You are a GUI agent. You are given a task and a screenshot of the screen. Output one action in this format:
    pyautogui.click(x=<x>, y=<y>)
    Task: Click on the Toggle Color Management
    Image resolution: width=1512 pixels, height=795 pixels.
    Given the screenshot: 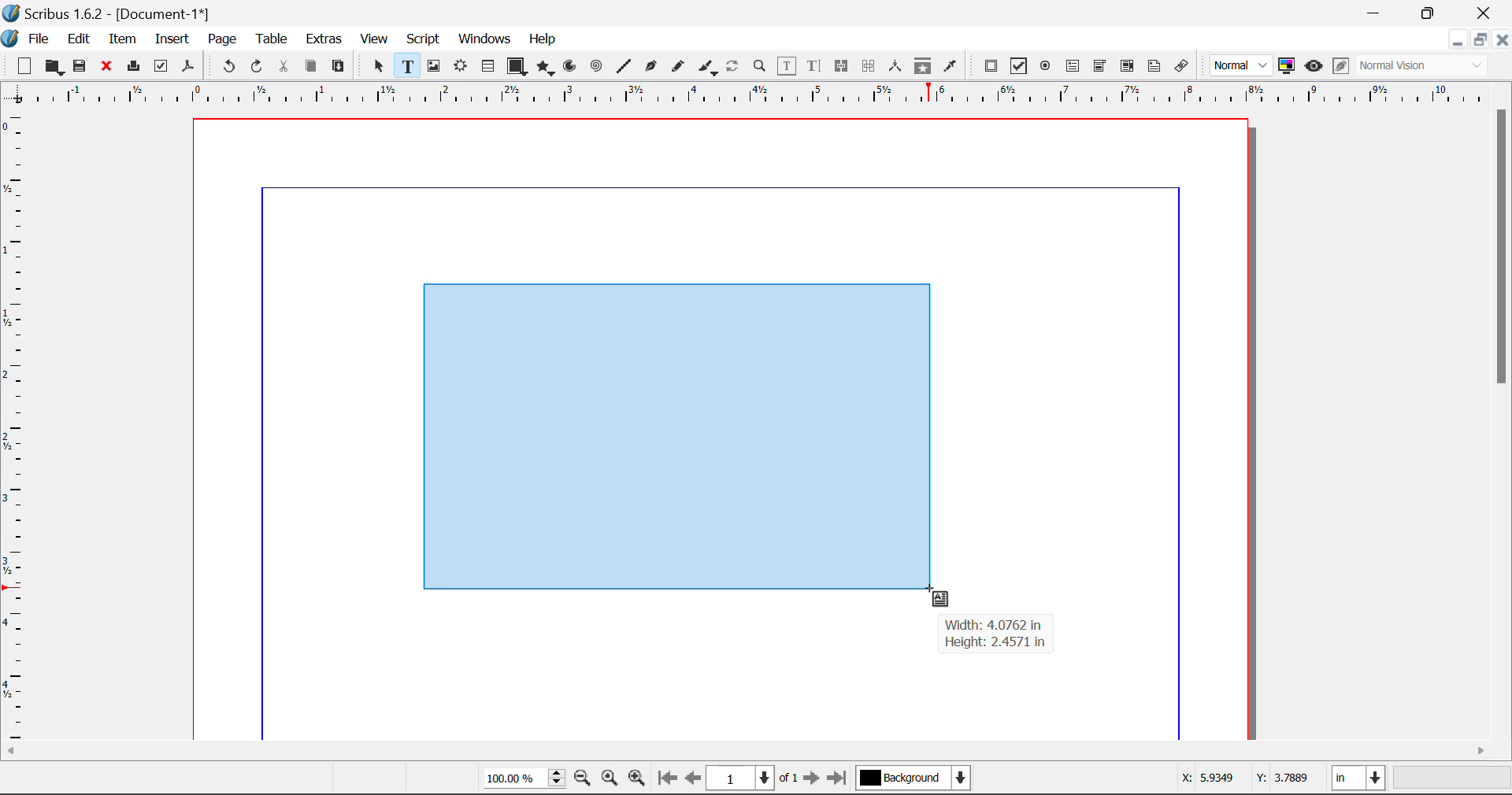 What is the action you would take?
    pyautogui.click(x=1288, y=67)
    